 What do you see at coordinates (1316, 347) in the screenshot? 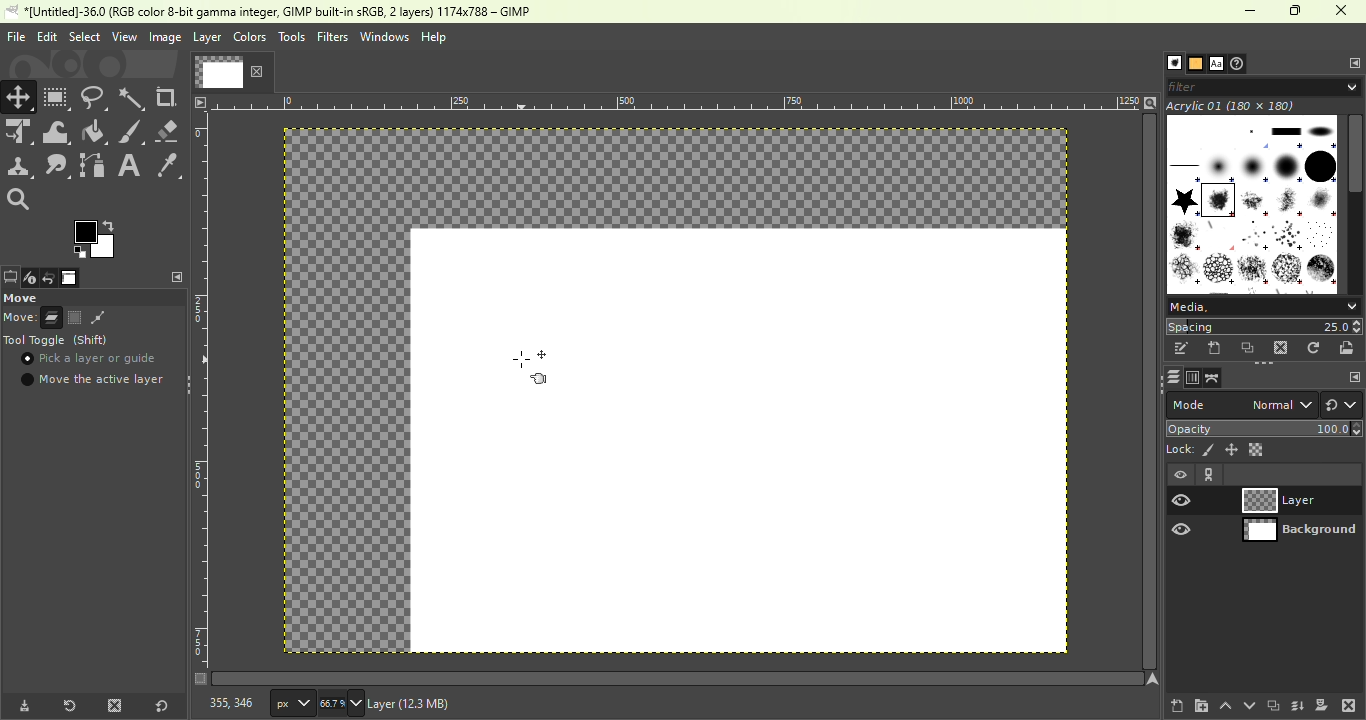
I see `Refresh brushes` at bounding box center [1316, 347].